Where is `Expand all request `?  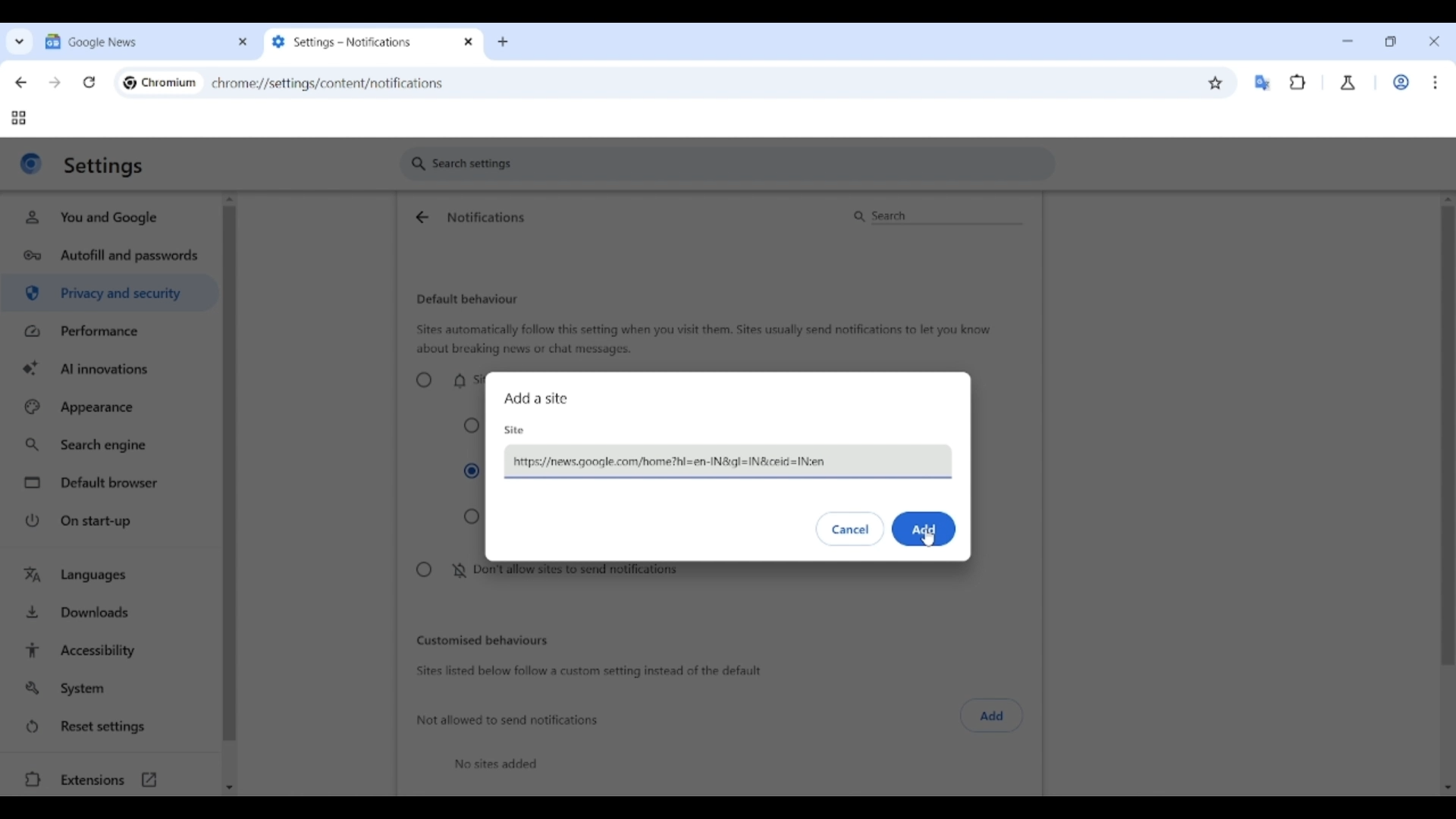
Expand all request  is located at coordinates (472, 517).